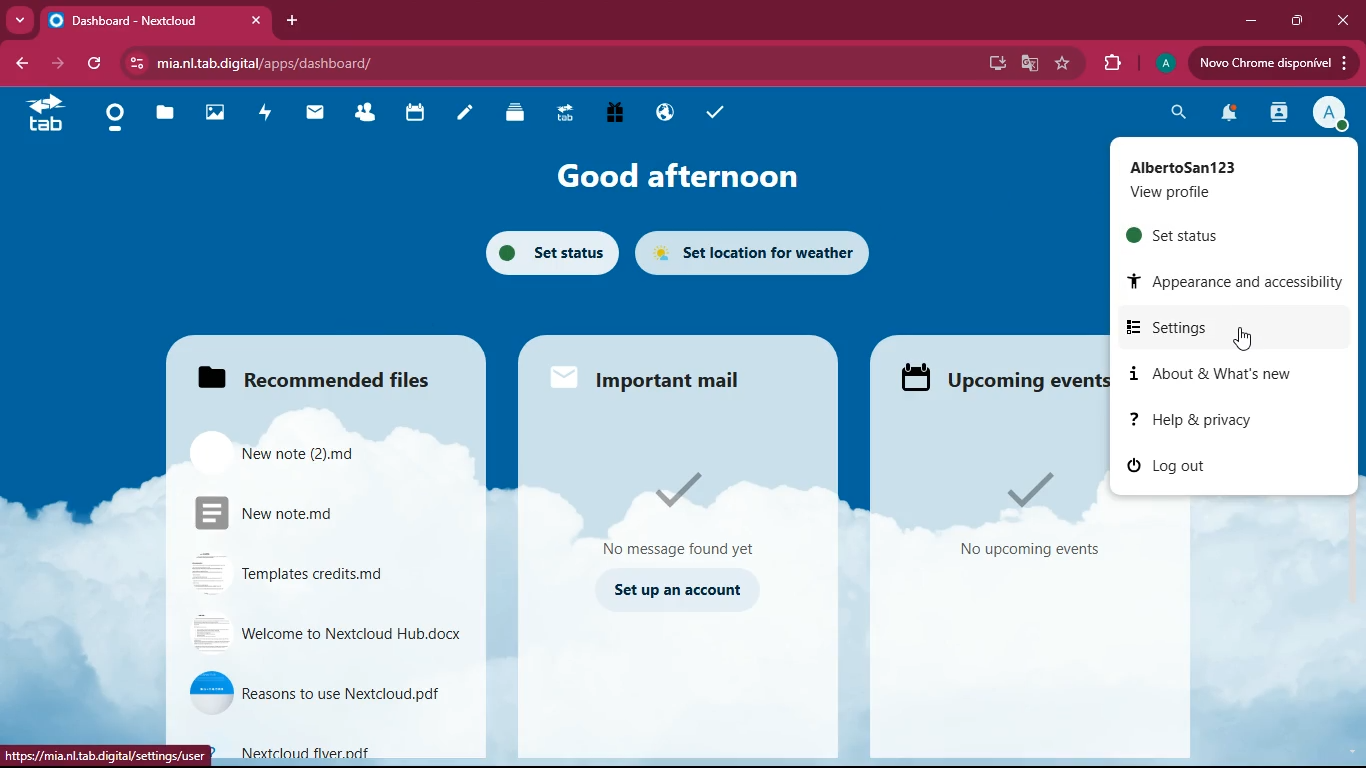 This screenshot has height=768, width=1366. What do you see at coordinates (20, 65) in the screenshot?
I see `back` at bounding box center [20, 65].